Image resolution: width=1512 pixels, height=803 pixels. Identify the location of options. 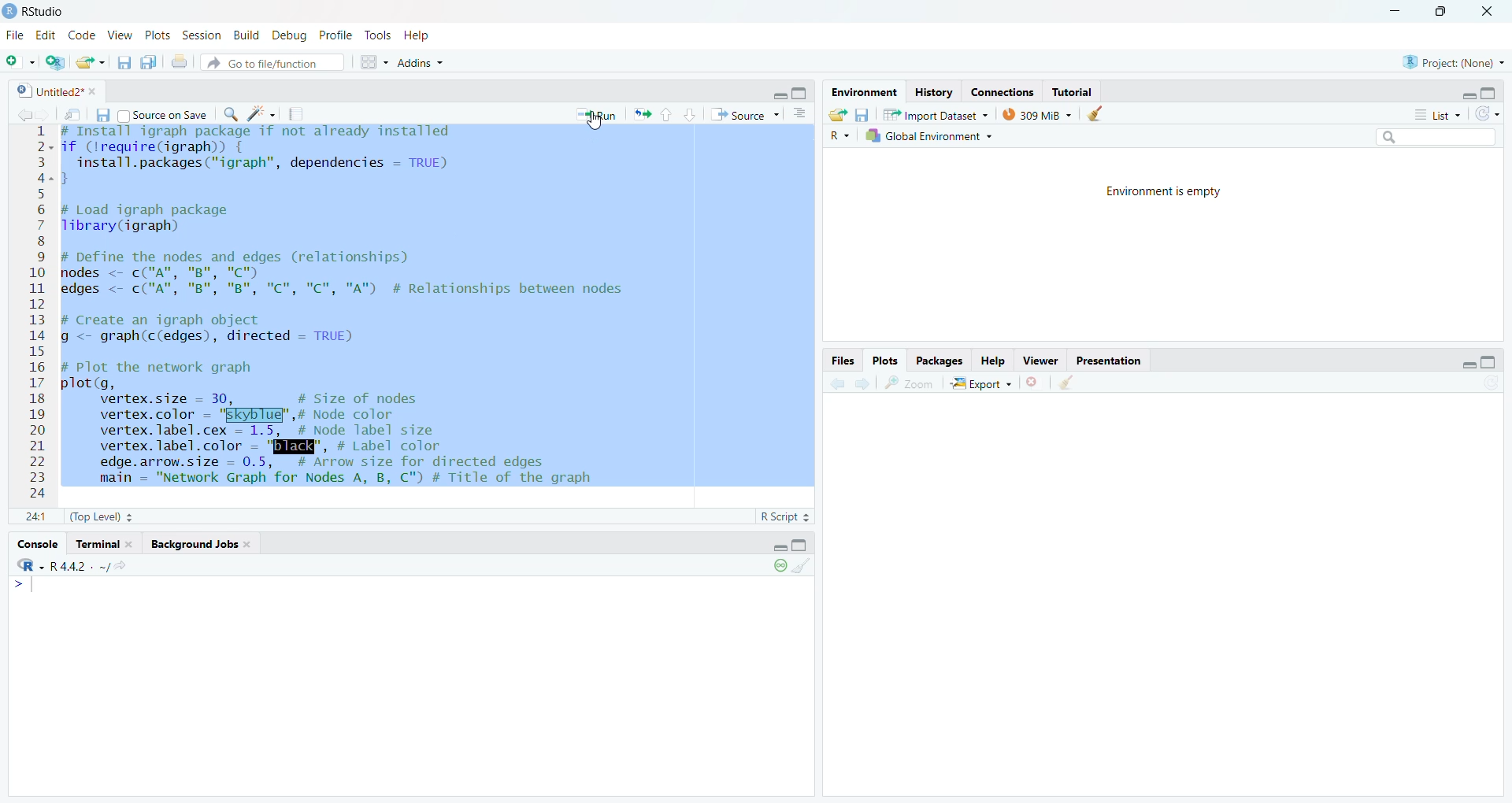
(798, 117).